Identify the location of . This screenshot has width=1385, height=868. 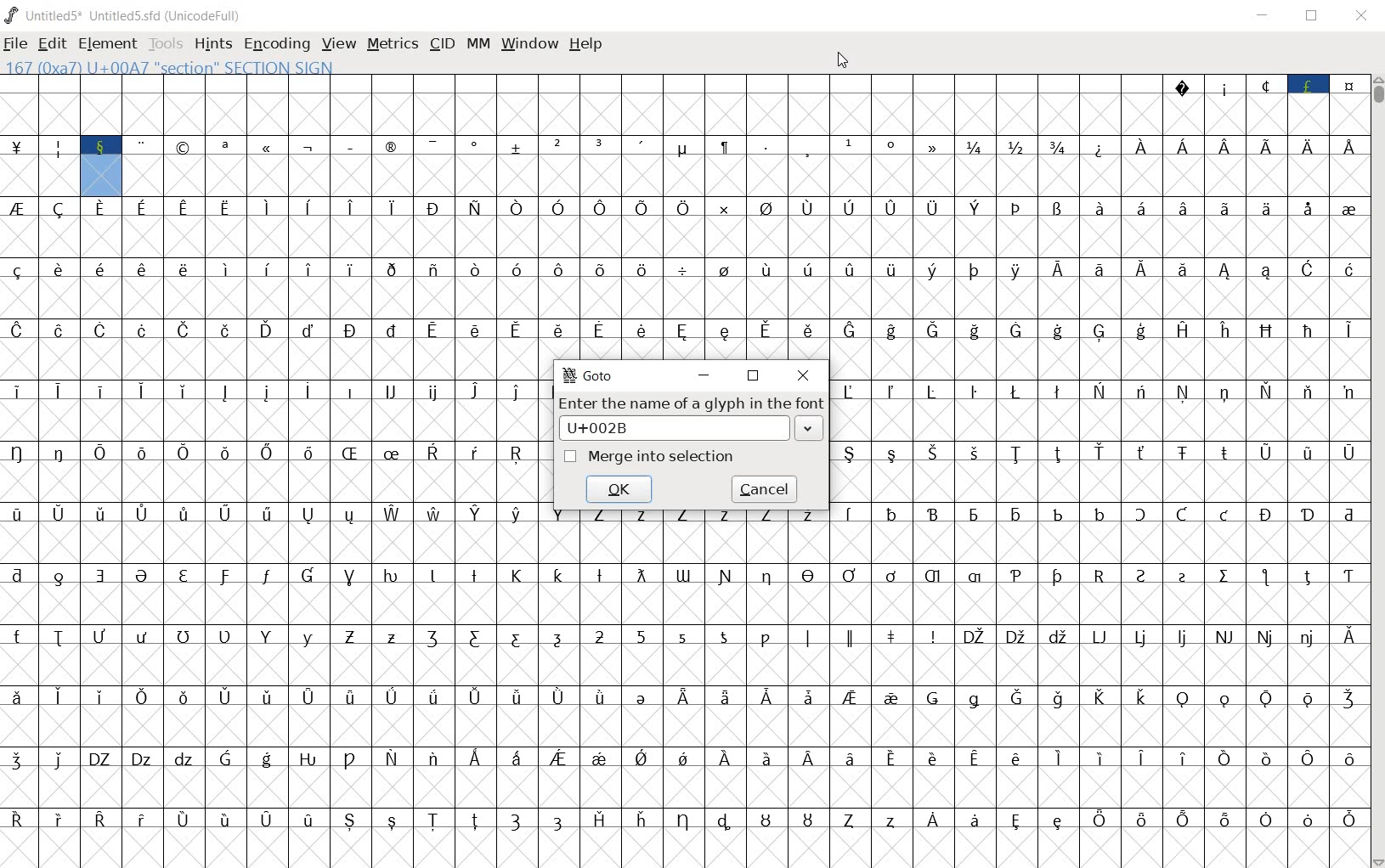
(63, 777).